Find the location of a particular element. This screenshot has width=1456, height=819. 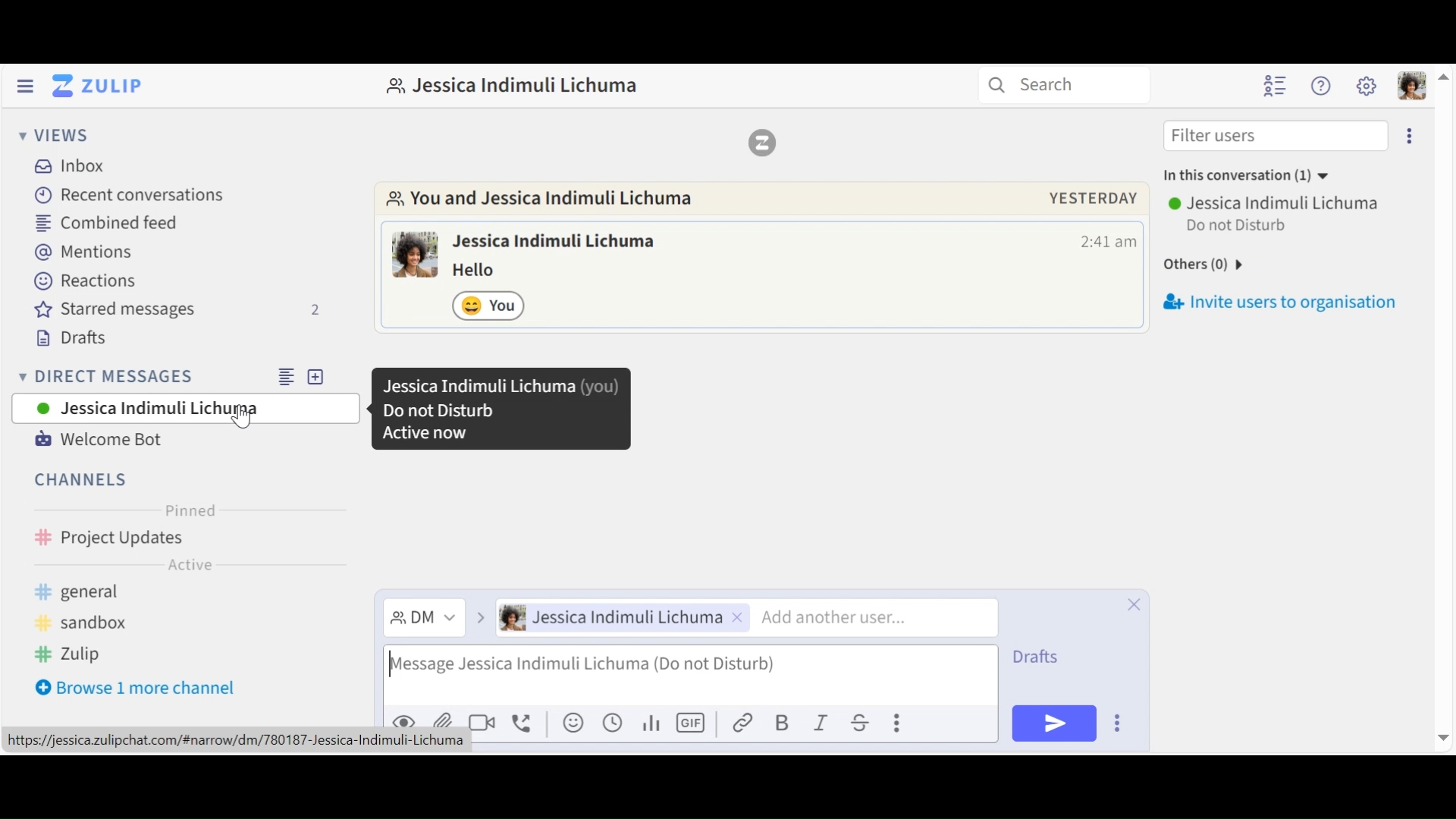

Status is located at coordinates (1239, 227).